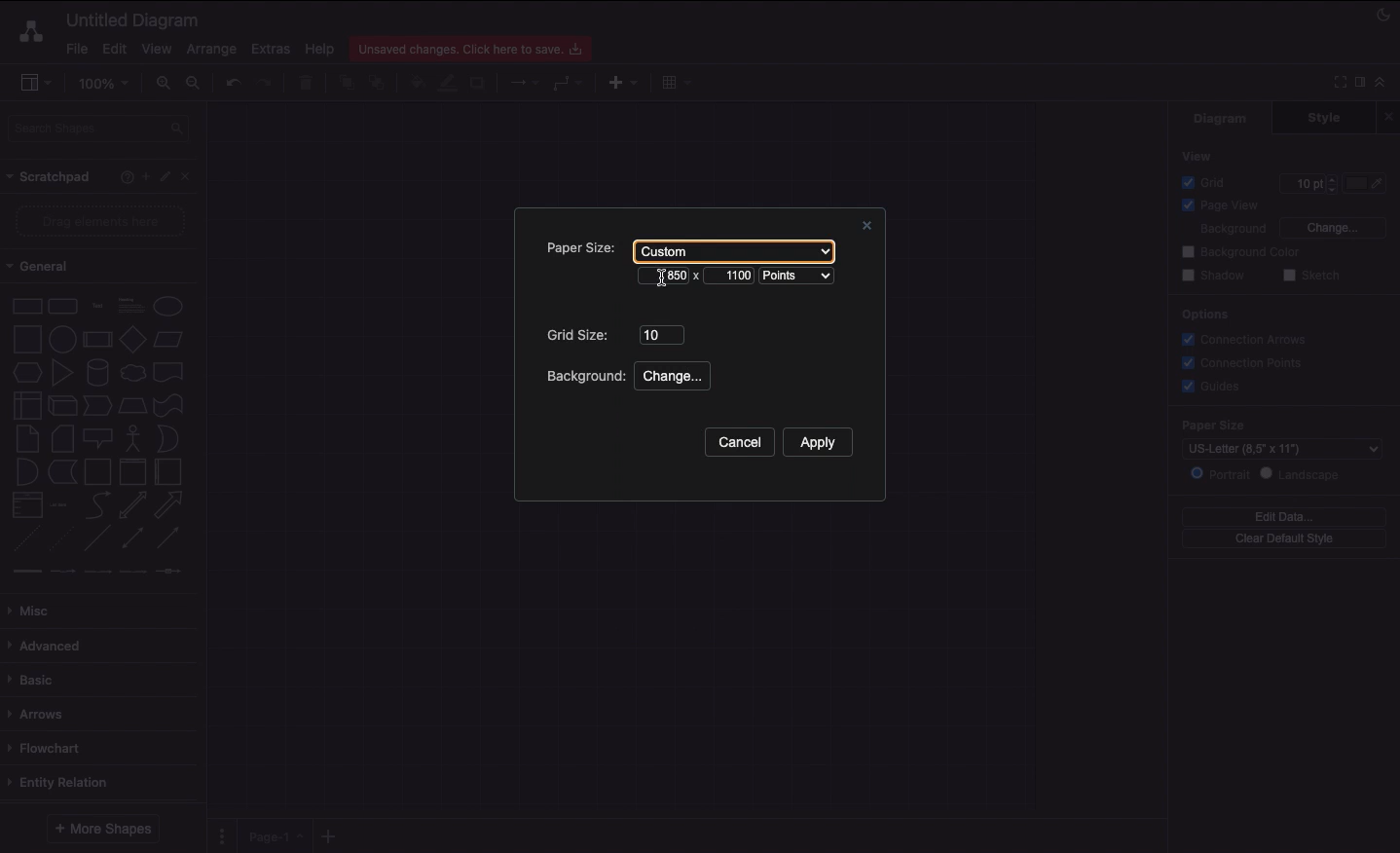 The image size is (1400, 853). I want to click on Note, so click(25, 439).